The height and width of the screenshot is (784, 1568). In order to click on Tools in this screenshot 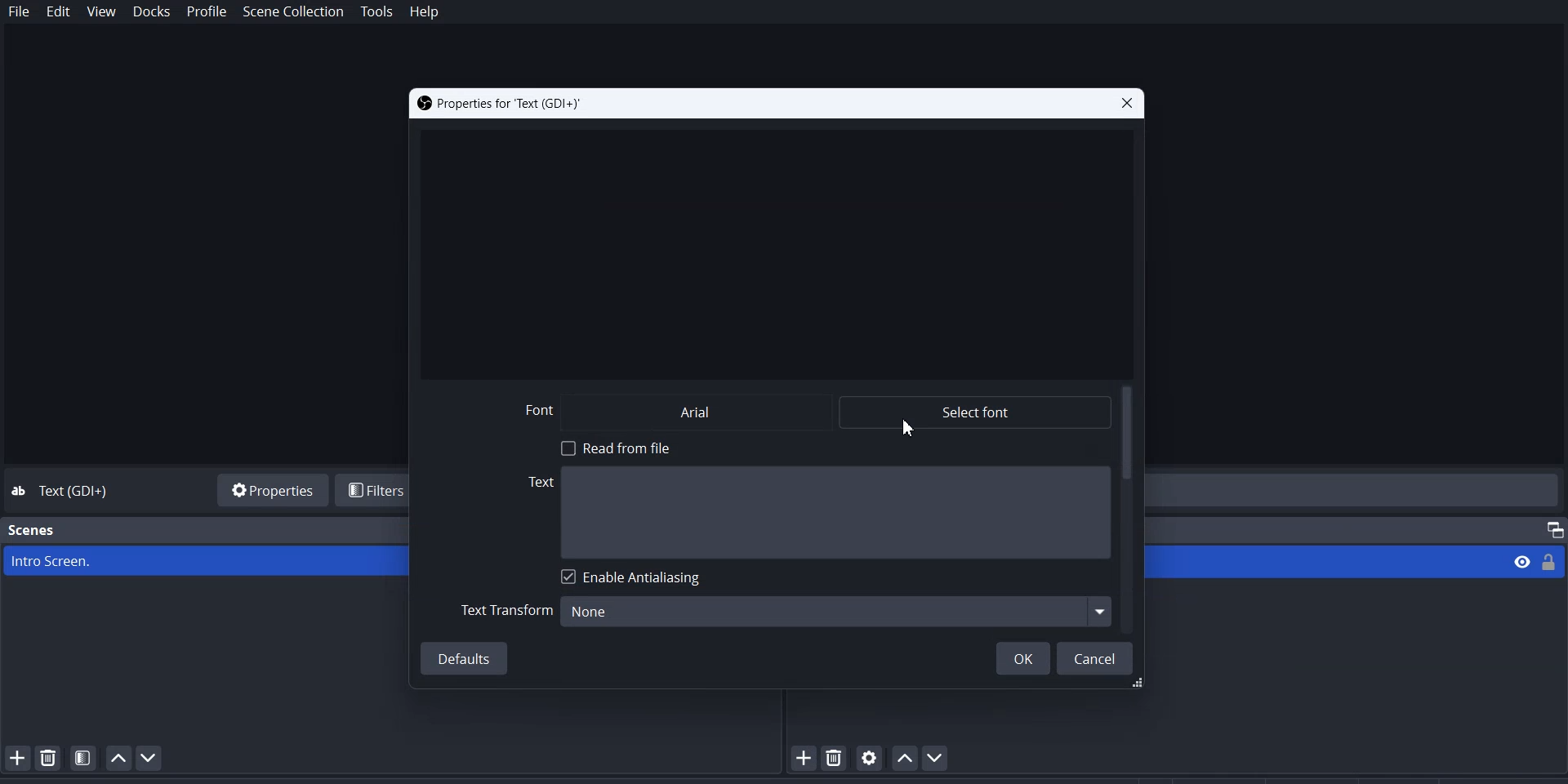, I will do `click(377, 12)`.